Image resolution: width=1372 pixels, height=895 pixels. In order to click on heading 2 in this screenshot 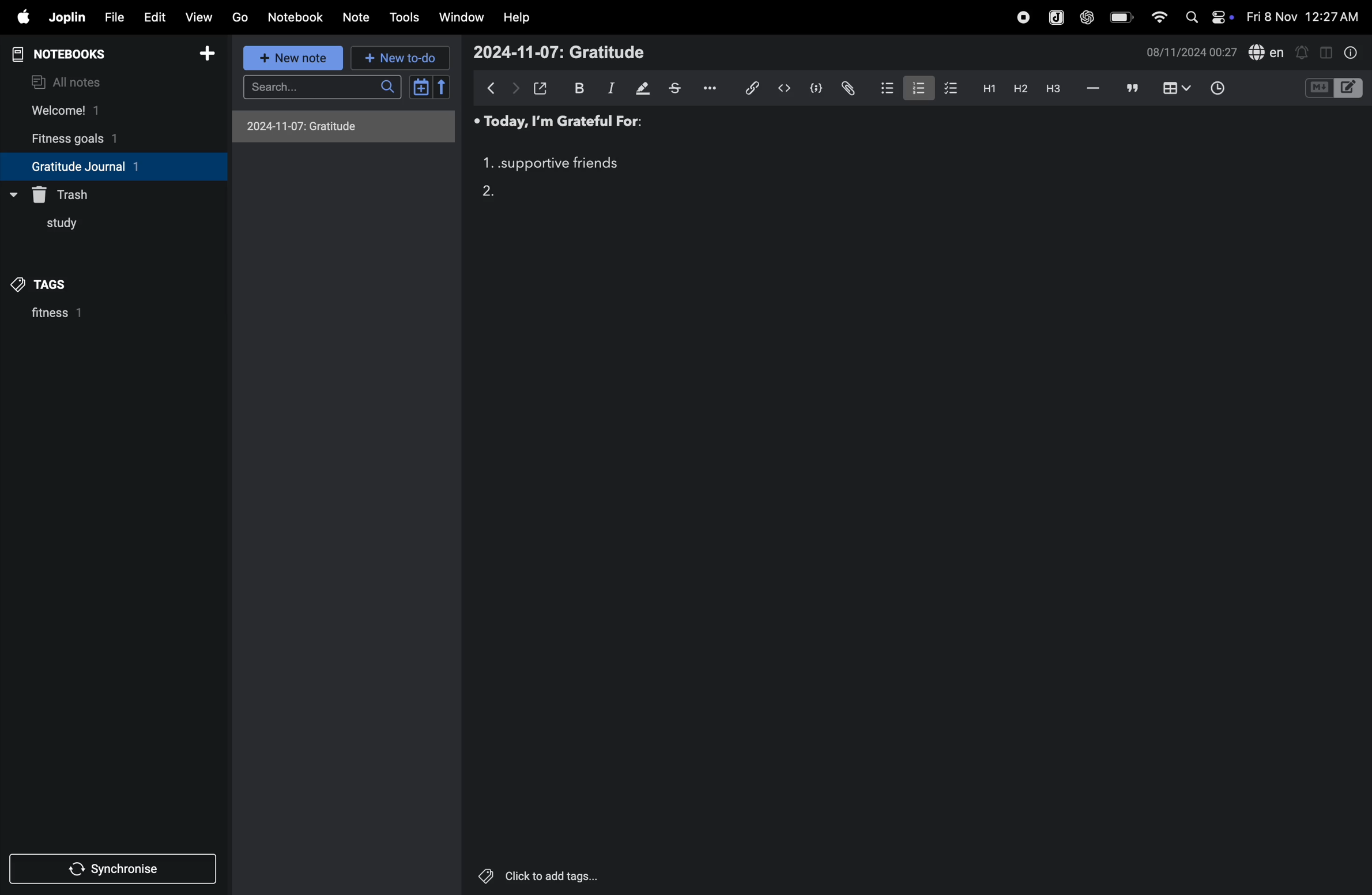, I will do `click(1017, 89)`.